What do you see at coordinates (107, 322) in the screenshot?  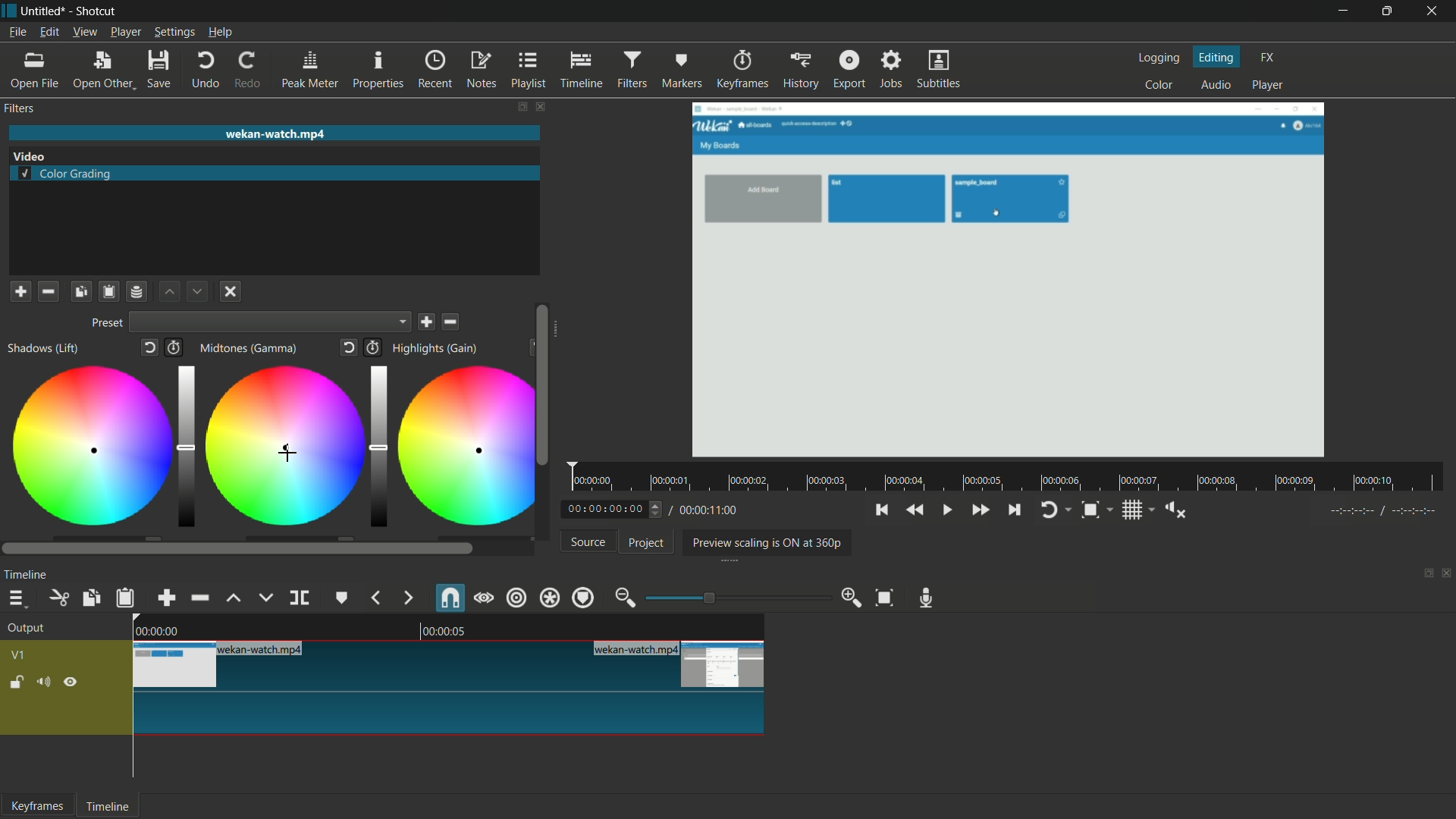 I see `preset` at bounding box center [107, 322].